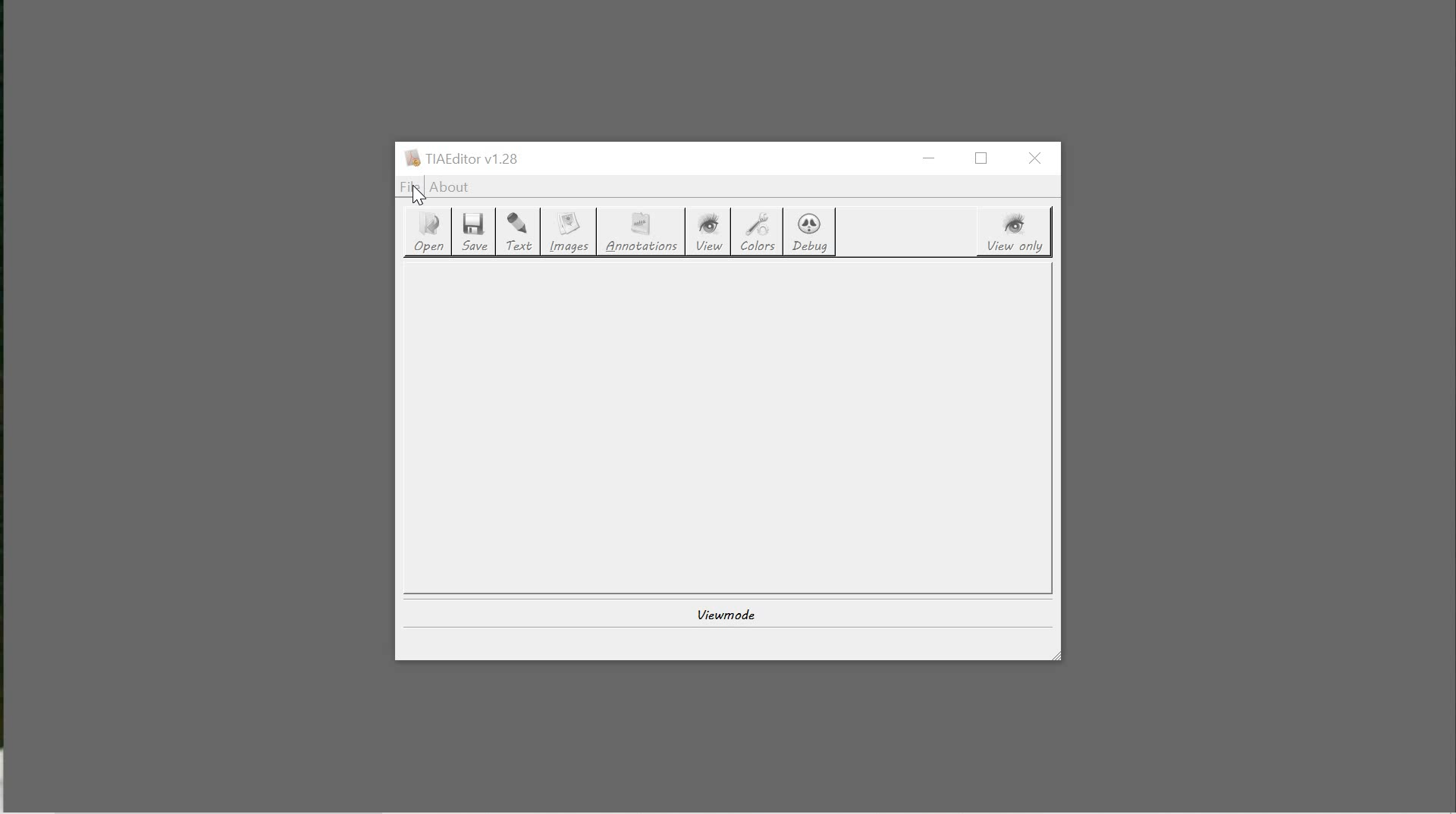 This screenshot has width=1456, height=814. I want to click on file, so click(410, 187).